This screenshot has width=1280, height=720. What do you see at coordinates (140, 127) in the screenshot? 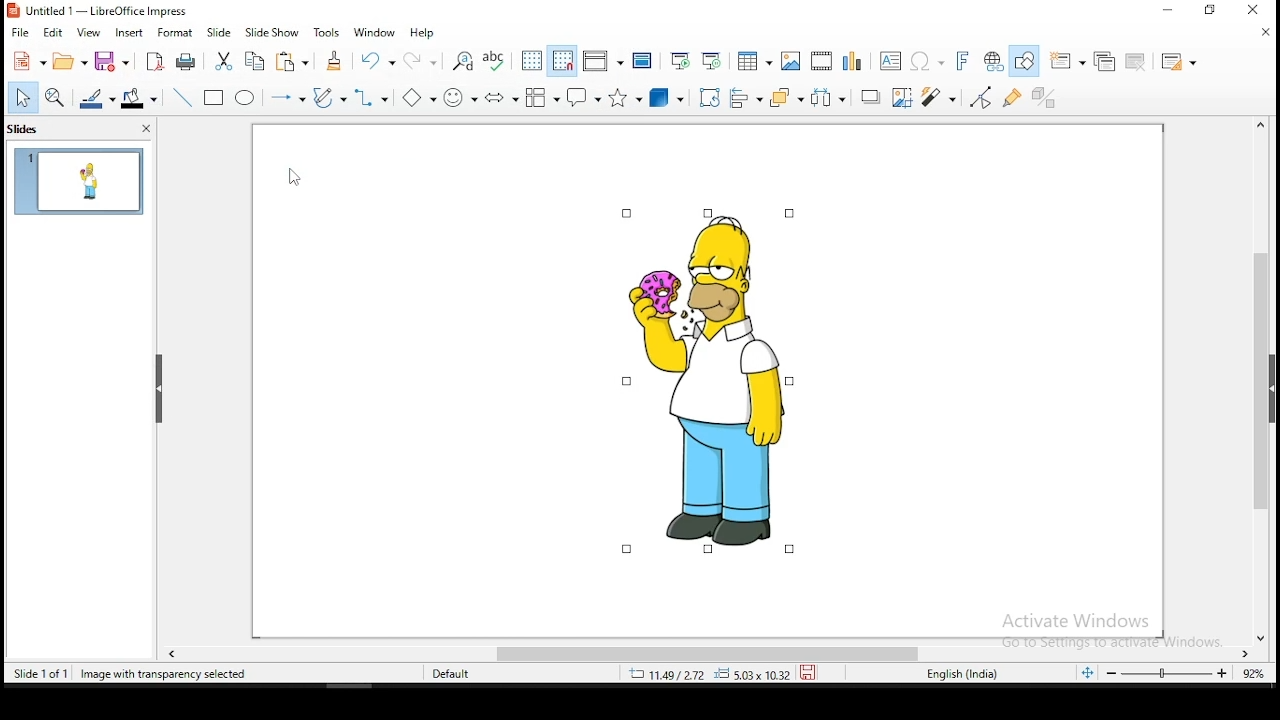
I see `close` at bounding box center [140, 127].